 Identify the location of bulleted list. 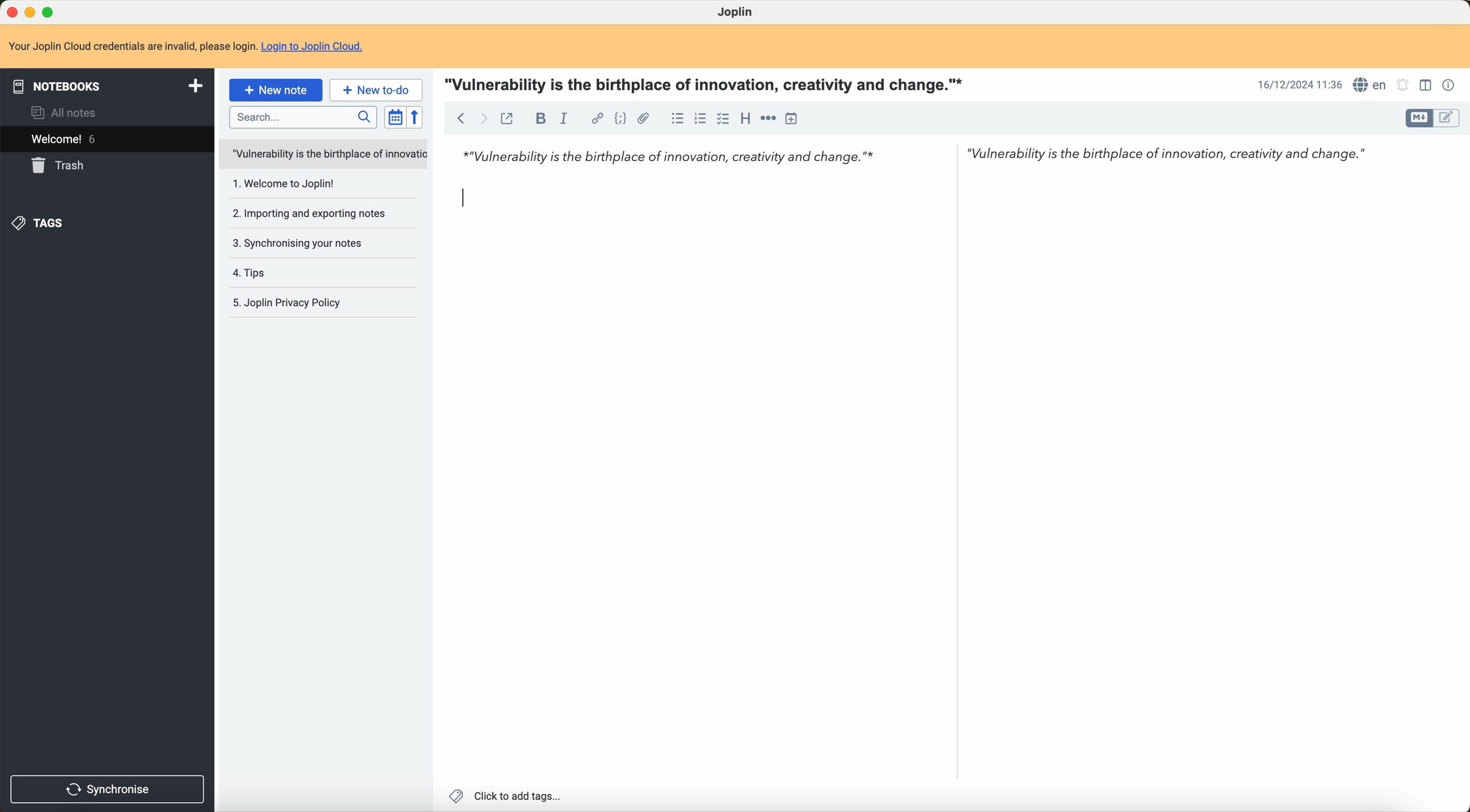
(676, 118).